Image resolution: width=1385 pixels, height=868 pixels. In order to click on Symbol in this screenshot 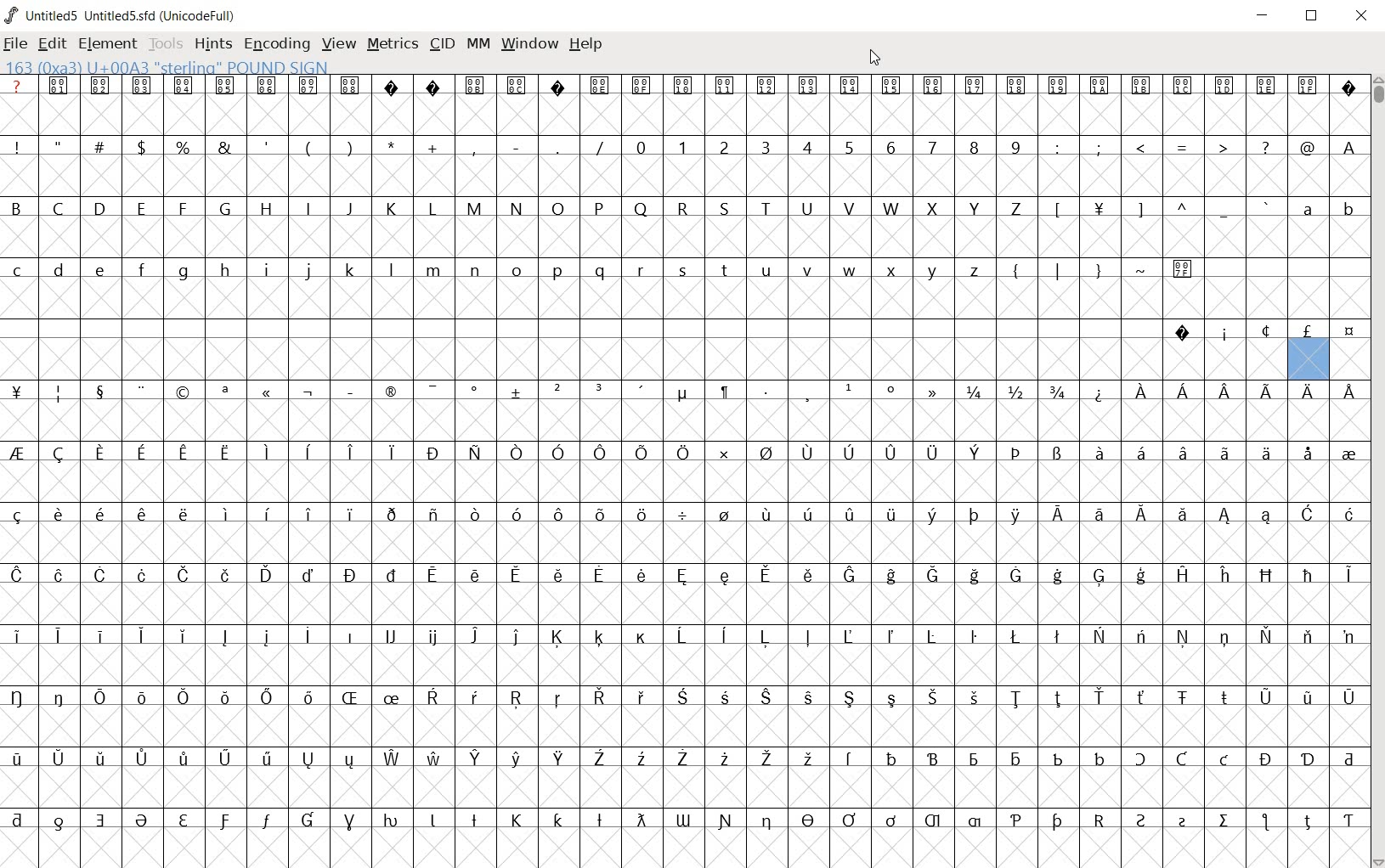, I will do `click(1142, 820)`.